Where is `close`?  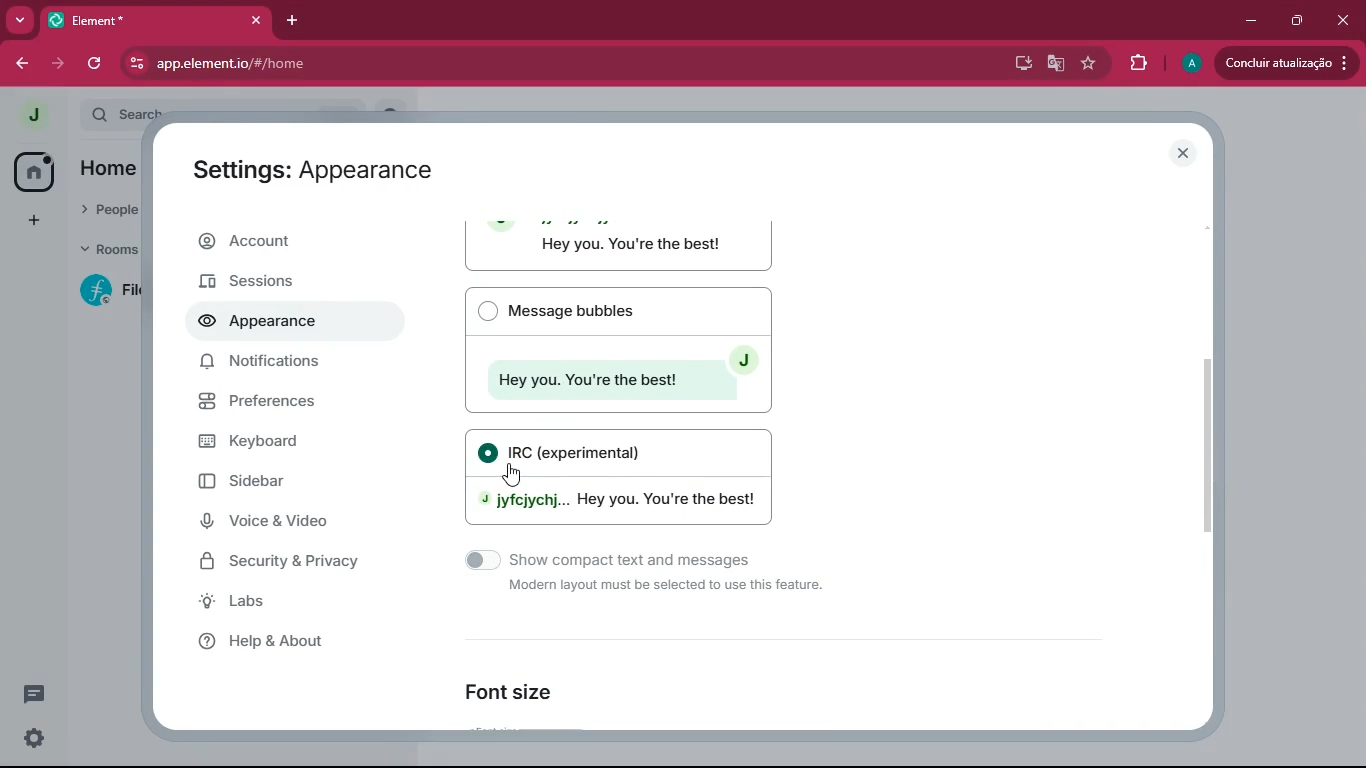
close is located at coordinates (255, 20).